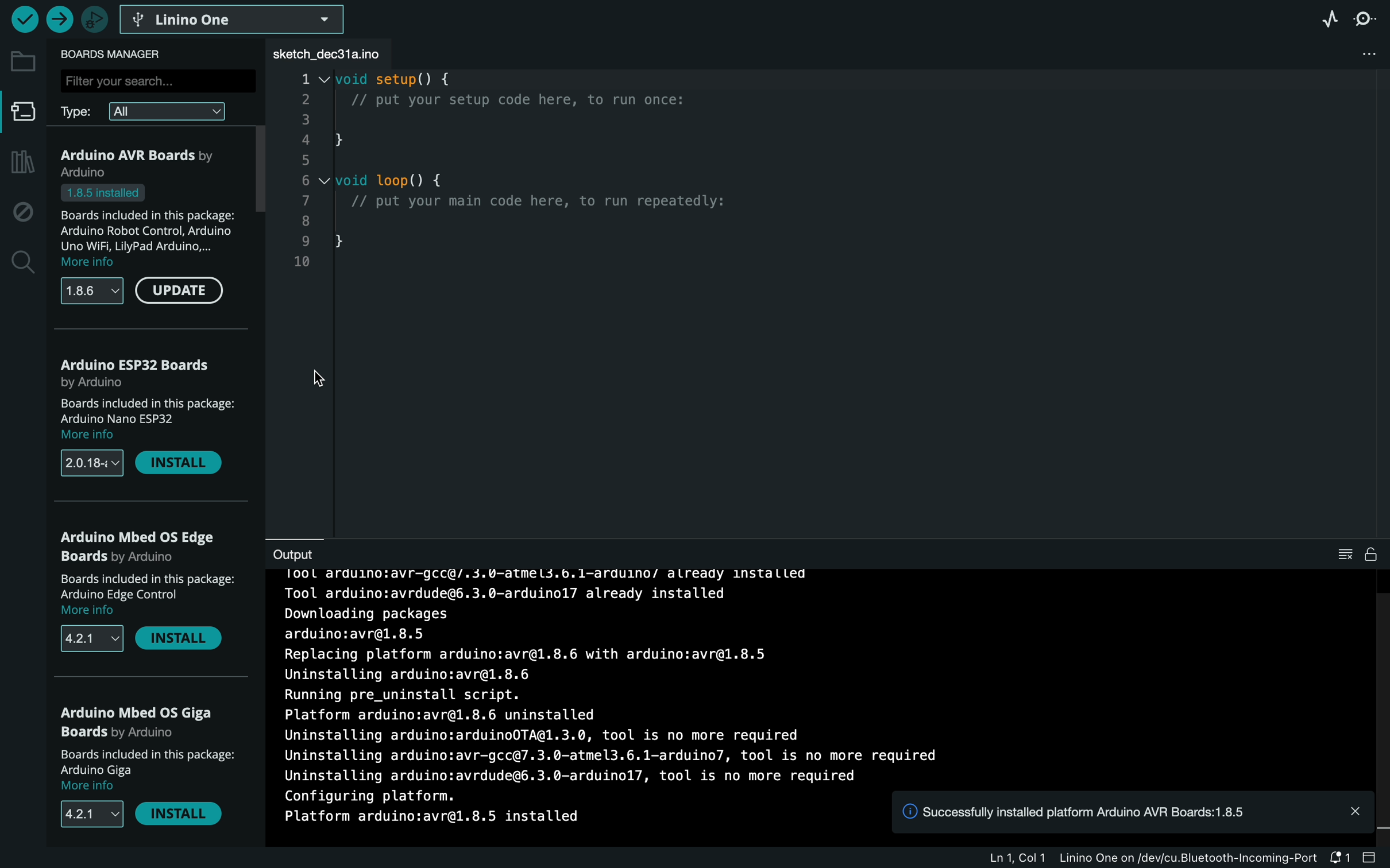  What do you see at coordinates (1355, 555) in the screenshot?
I see `clear` at bounding box center [1355, 555].